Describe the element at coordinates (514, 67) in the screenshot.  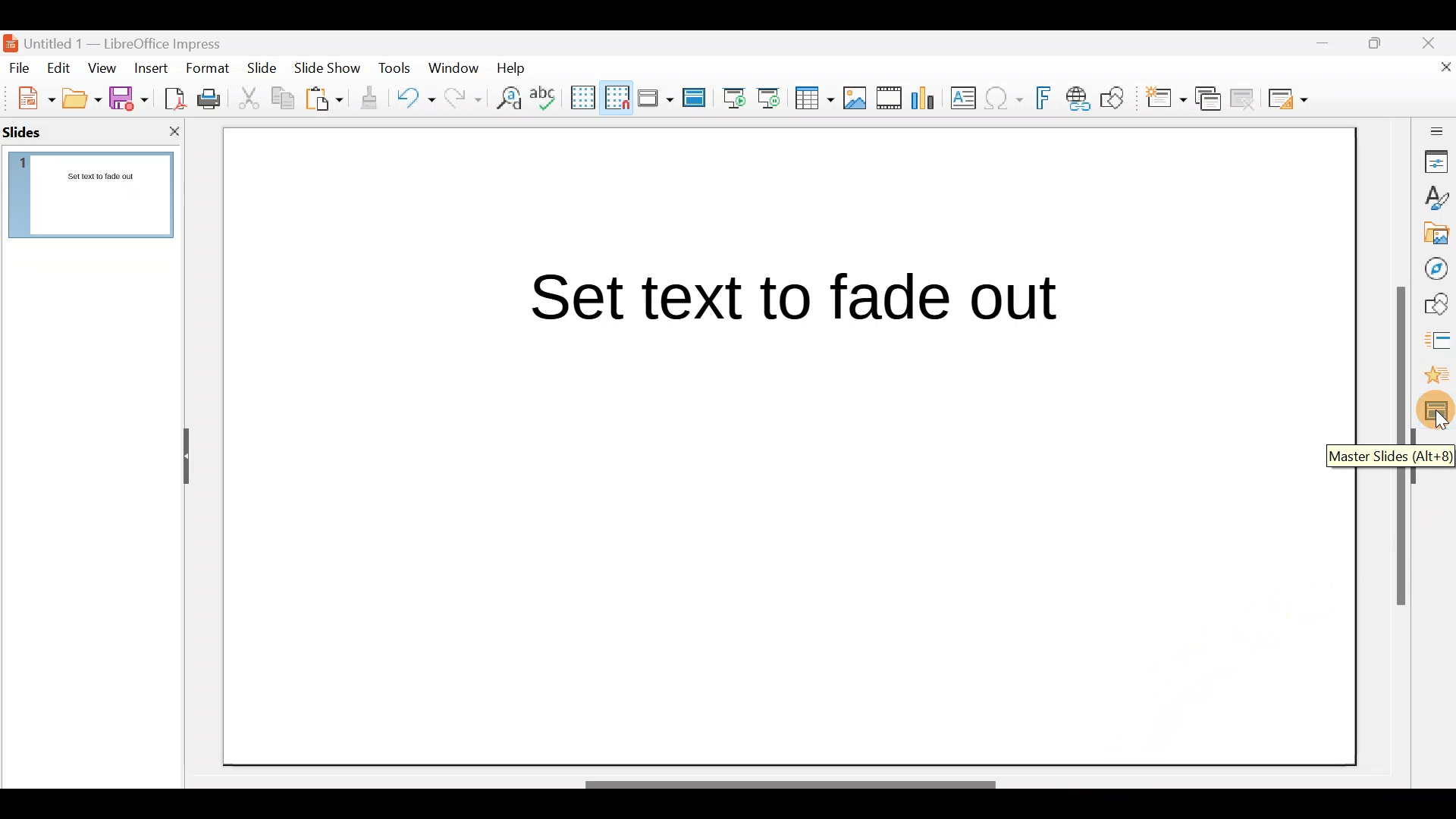
I see `Help` at that location.